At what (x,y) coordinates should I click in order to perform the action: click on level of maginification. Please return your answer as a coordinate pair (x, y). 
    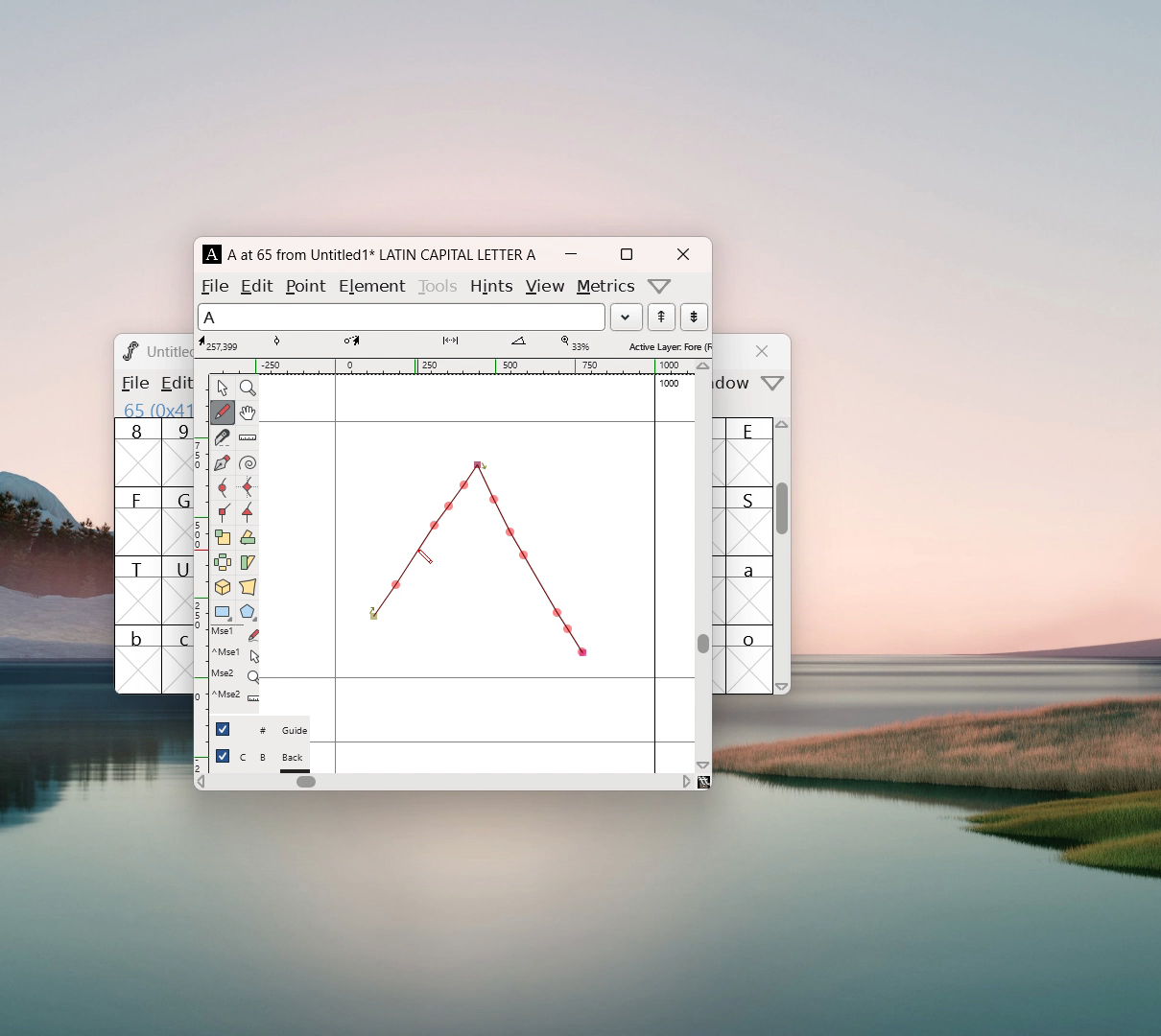
    Looking at the image, I should click on (574, 343).